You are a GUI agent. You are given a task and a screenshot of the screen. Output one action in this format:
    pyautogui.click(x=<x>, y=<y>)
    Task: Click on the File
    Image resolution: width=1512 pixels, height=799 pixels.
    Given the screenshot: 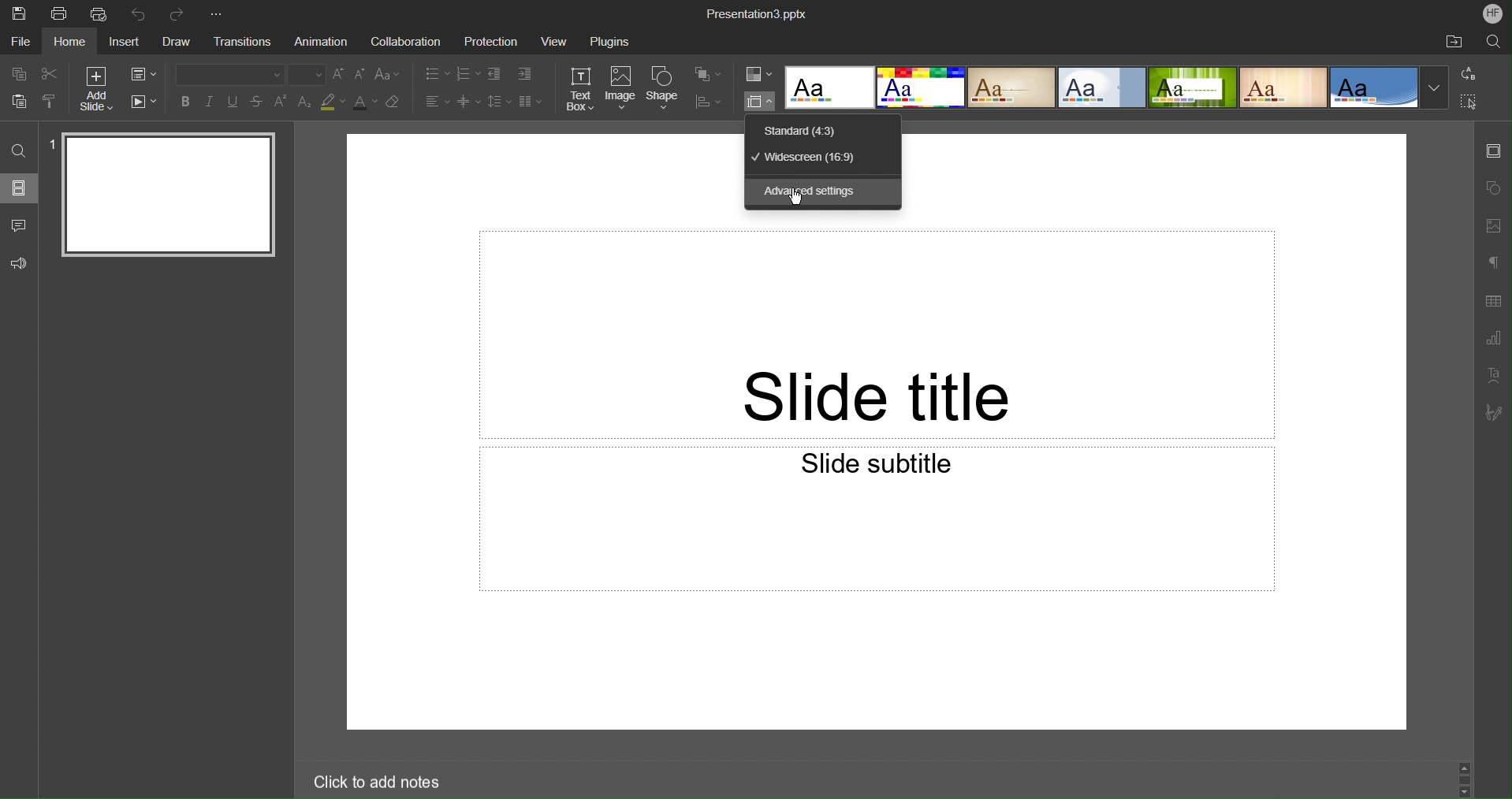 What is the action you would take?
    pyautogui.click(x=19, y=43)
    